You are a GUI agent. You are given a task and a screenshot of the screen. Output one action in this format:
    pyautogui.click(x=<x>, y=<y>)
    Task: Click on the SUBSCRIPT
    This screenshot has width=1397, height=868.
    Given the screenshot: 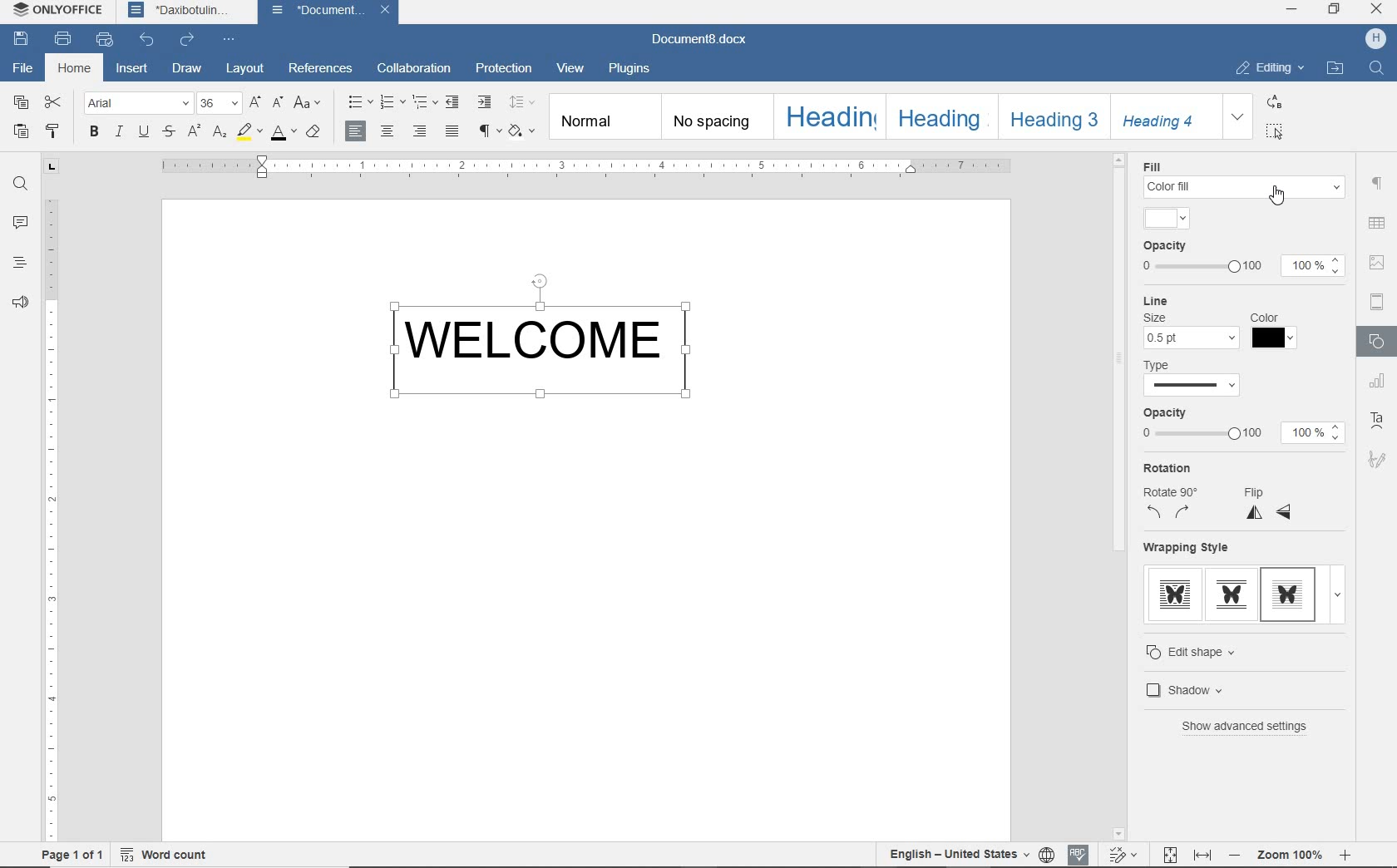 What is the action you would take?
    pyautogui.click(x=220, y=131)
    